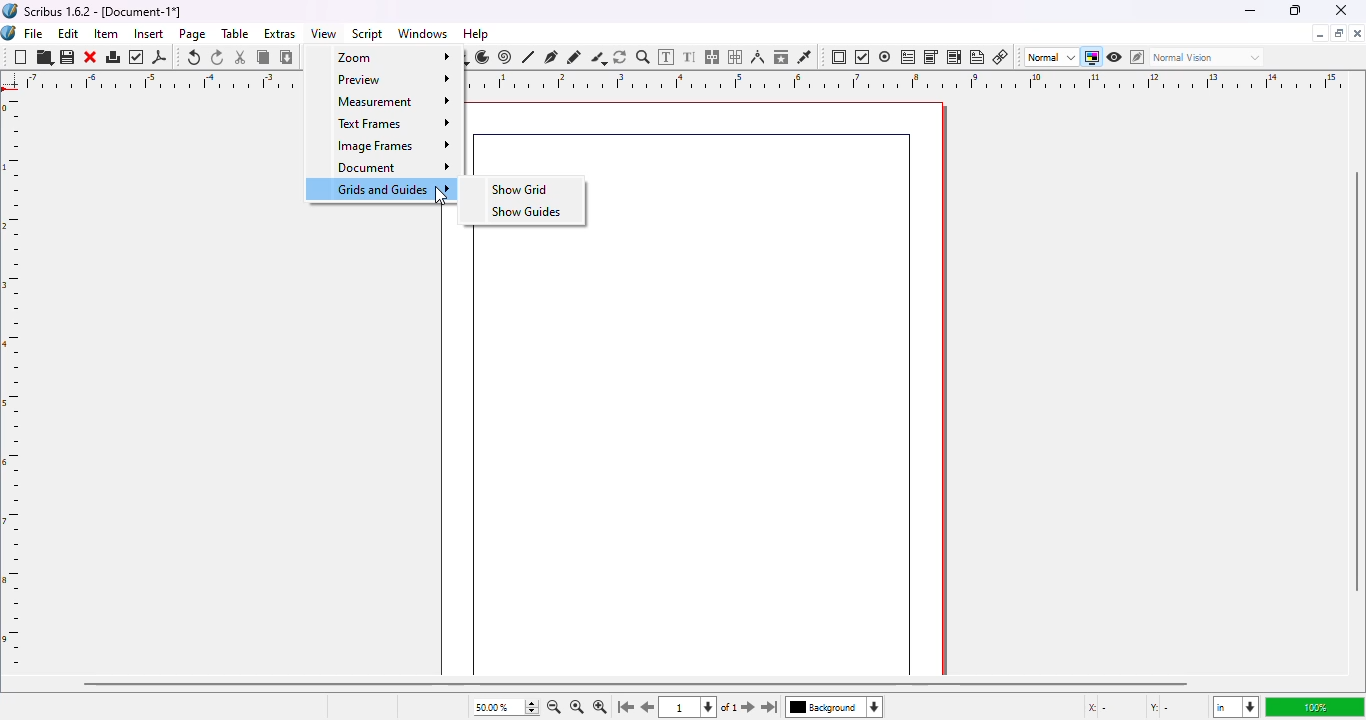  What do you see at coordinates (476, 34) in the screenshot?
I see `help` at bounding box center [476, 34].